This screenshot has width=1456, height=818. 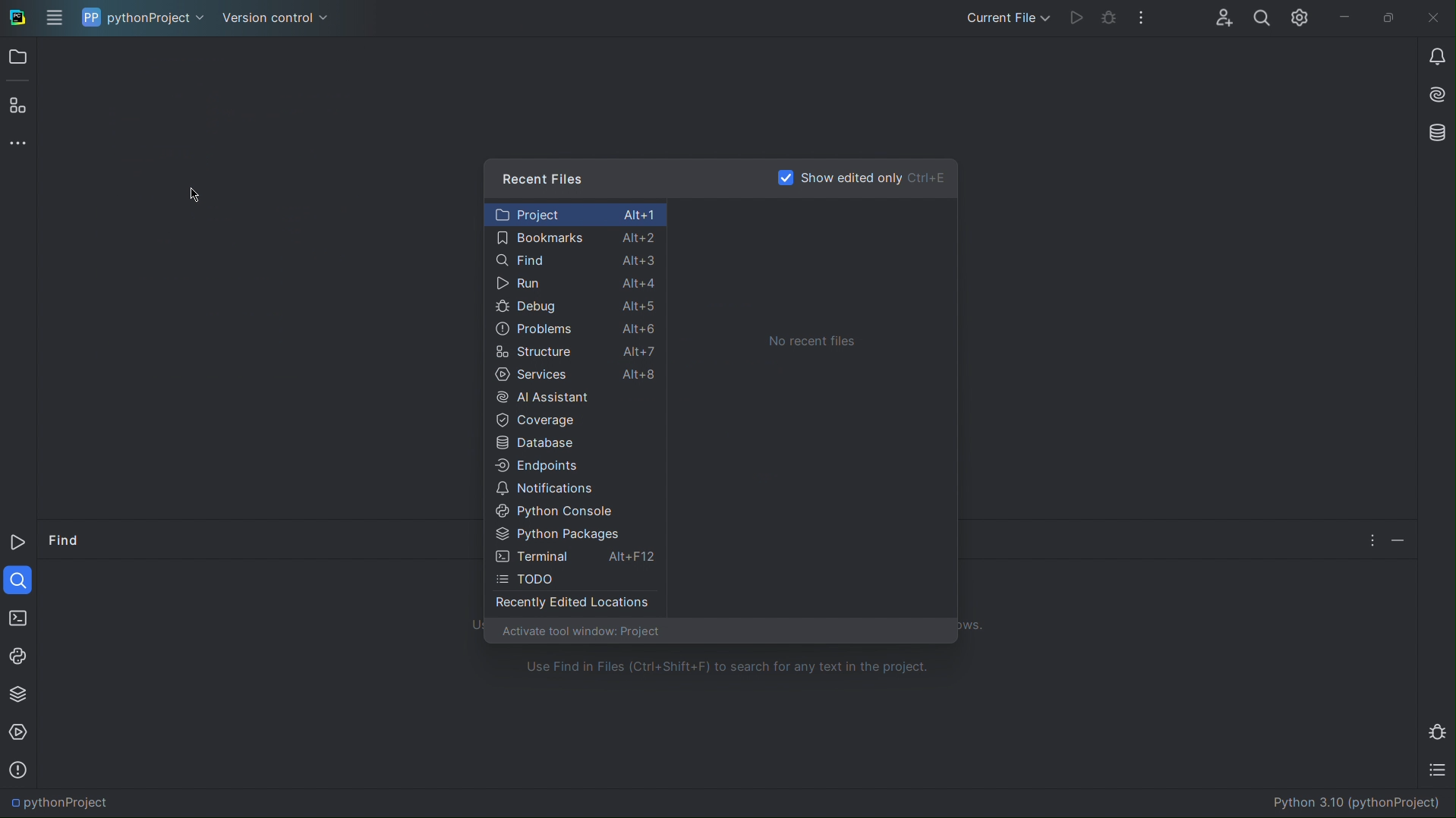 I want to click on Project, so click(x=573, y=213).